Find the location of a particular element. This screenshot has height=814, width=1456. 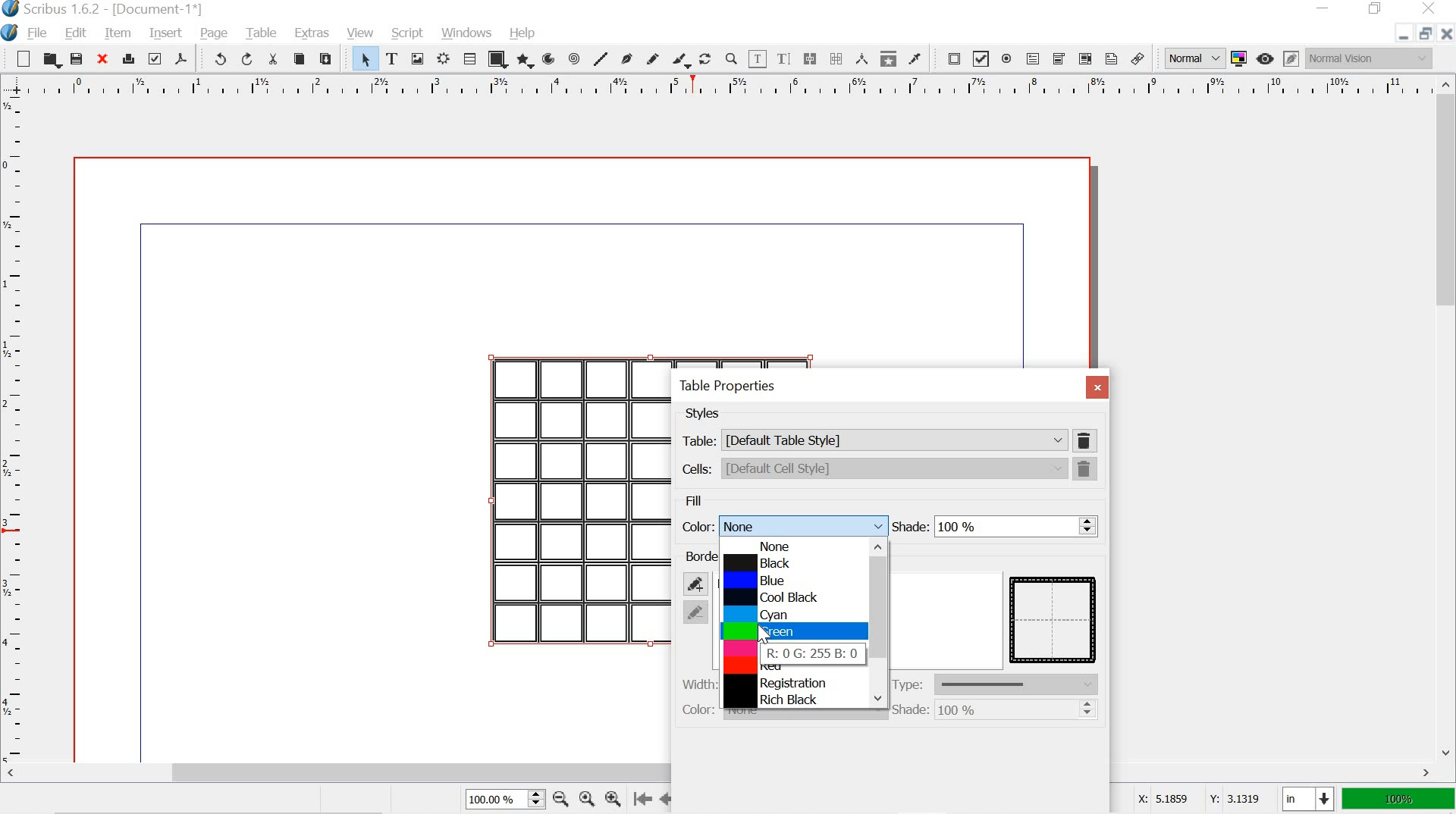

select item is located at coordinates (365, 60).